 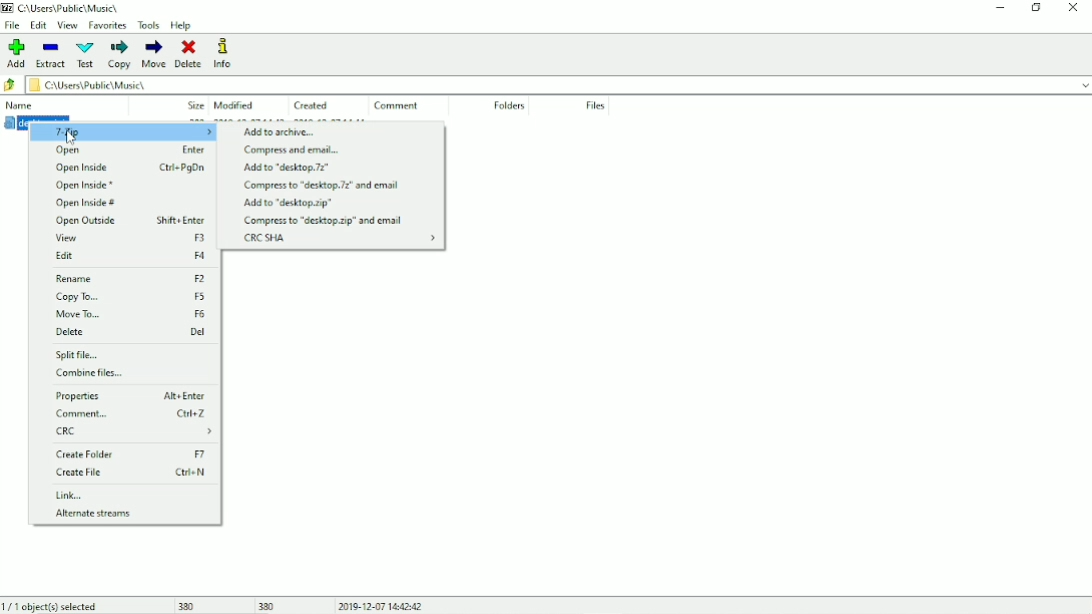 What do you see at coordinates (195, 105) in the screenshot?
I see `Size` at bounding box center [195, 105].